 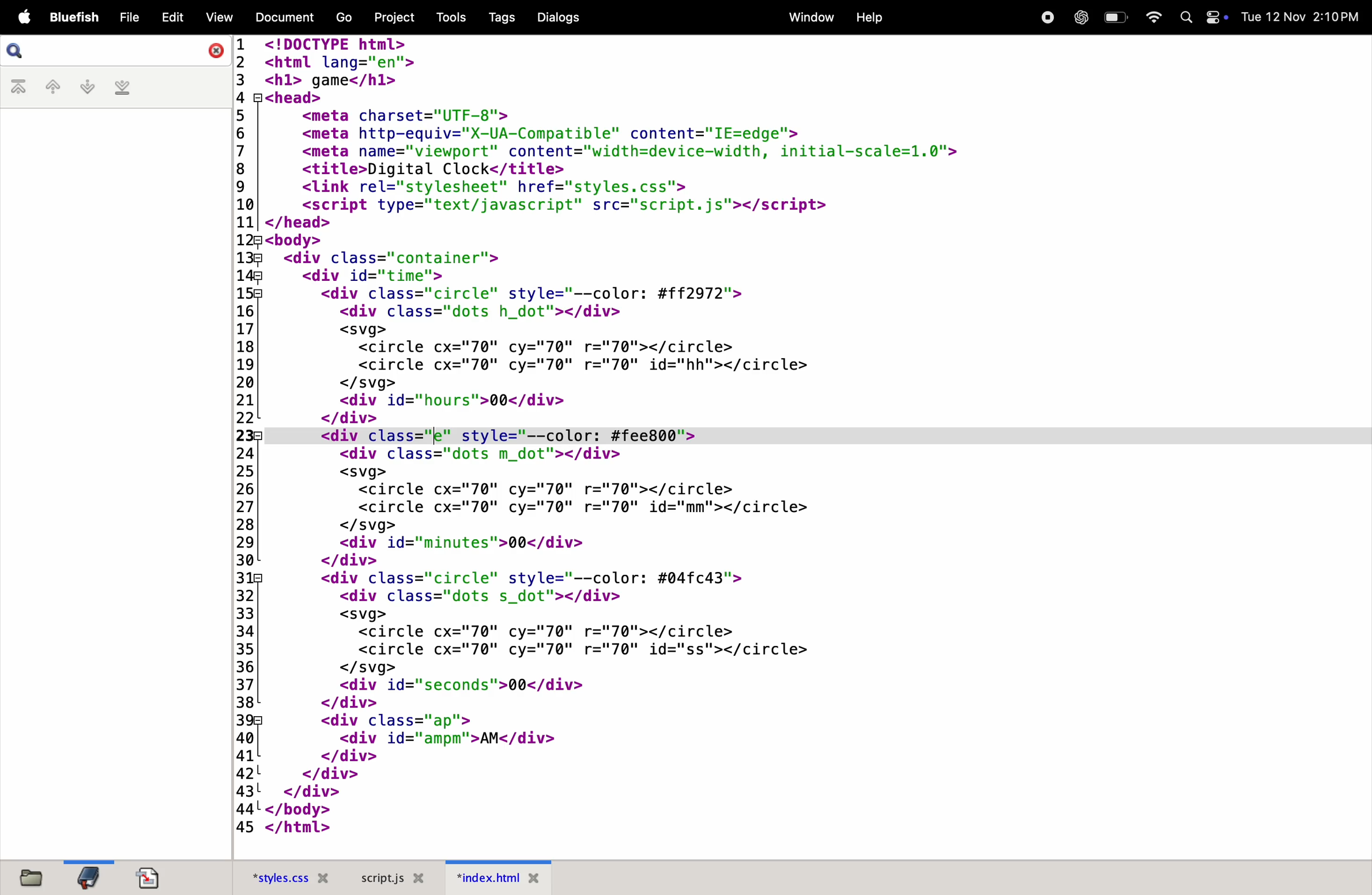 I want to click on window, so click(x=806, y=17).